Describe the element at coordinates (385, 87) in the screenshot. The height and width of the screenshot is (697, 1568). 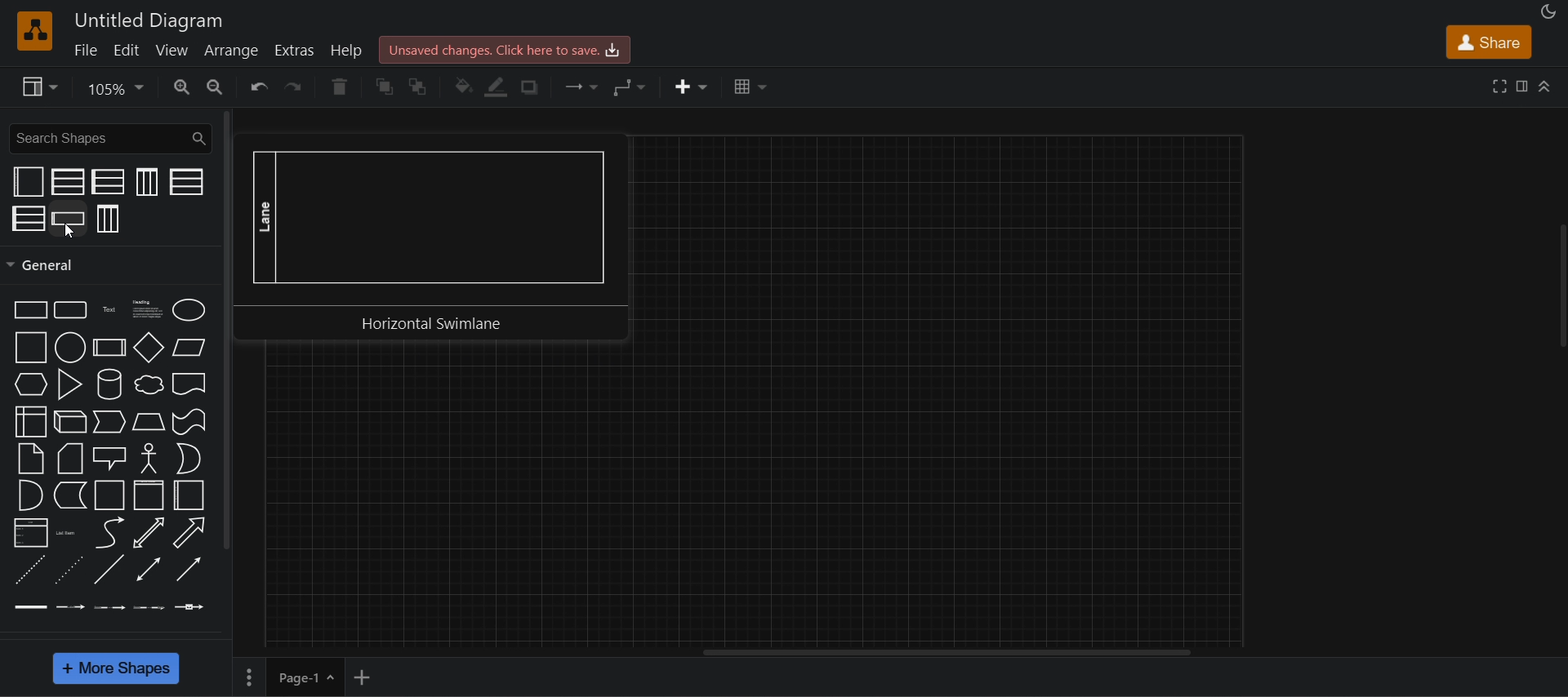
I see `to front` at that location.